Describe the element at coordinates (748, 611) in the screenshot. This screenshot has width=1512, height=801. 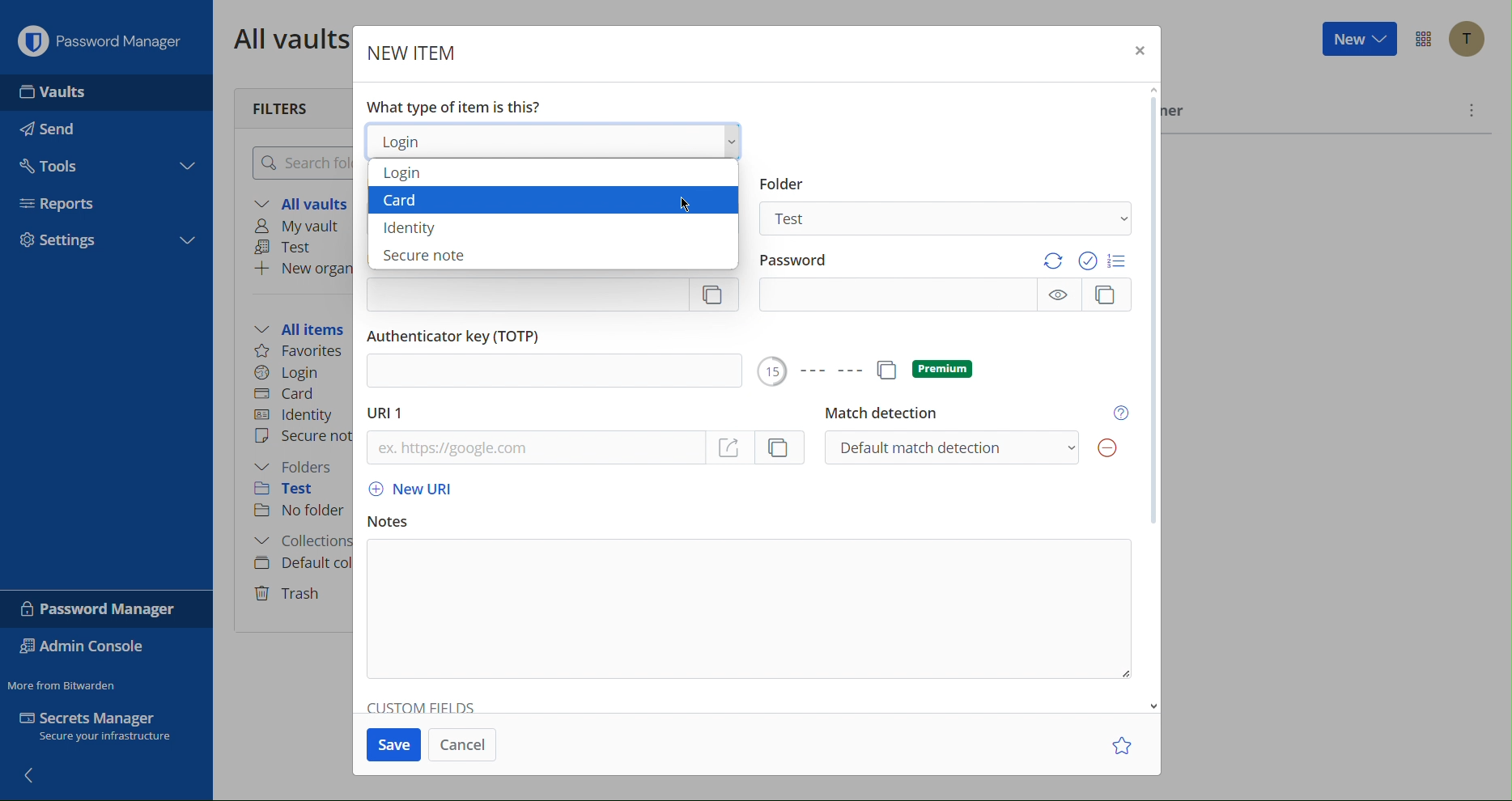
I see `Notes` at that location.